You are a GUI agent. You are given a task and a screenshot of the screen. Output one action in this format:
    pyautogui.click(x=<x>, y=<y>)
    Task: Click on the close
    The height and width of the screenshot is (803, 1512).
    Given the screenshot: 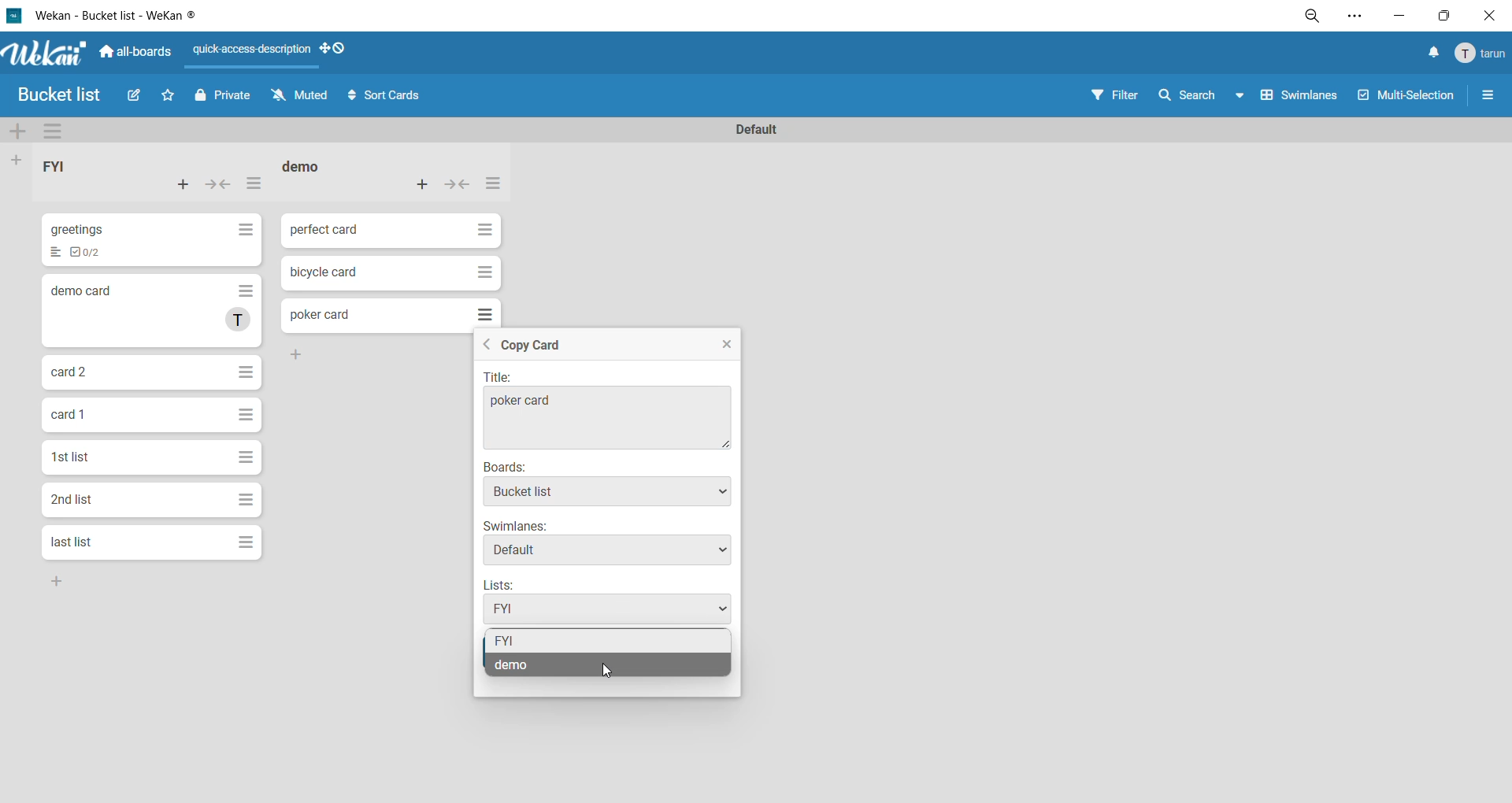 What is the action you would take?
    pyautogui.click(x=725, y=346)
    